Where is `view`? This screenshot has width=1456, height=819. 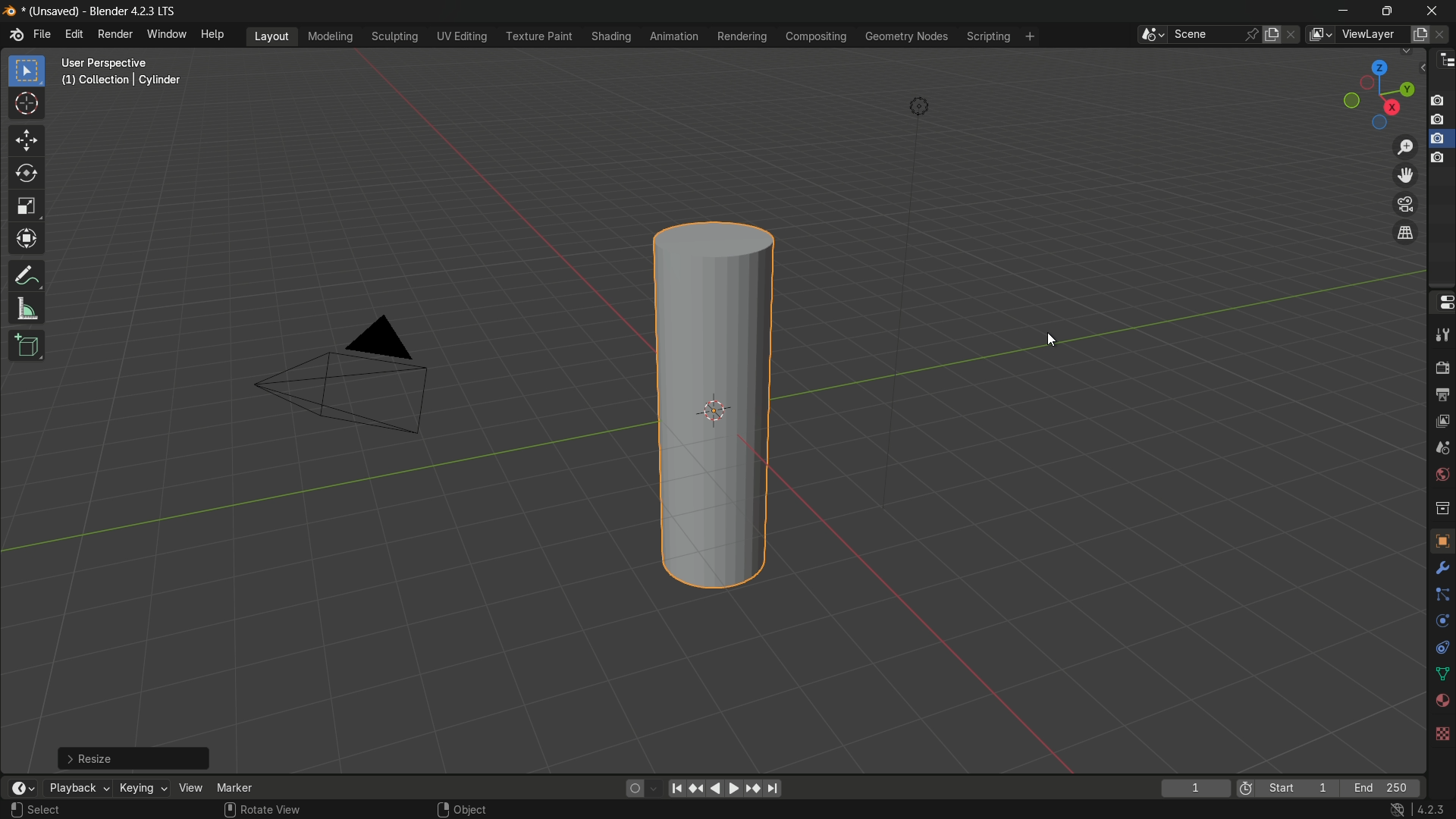 view is located at coordinates (190, 788).